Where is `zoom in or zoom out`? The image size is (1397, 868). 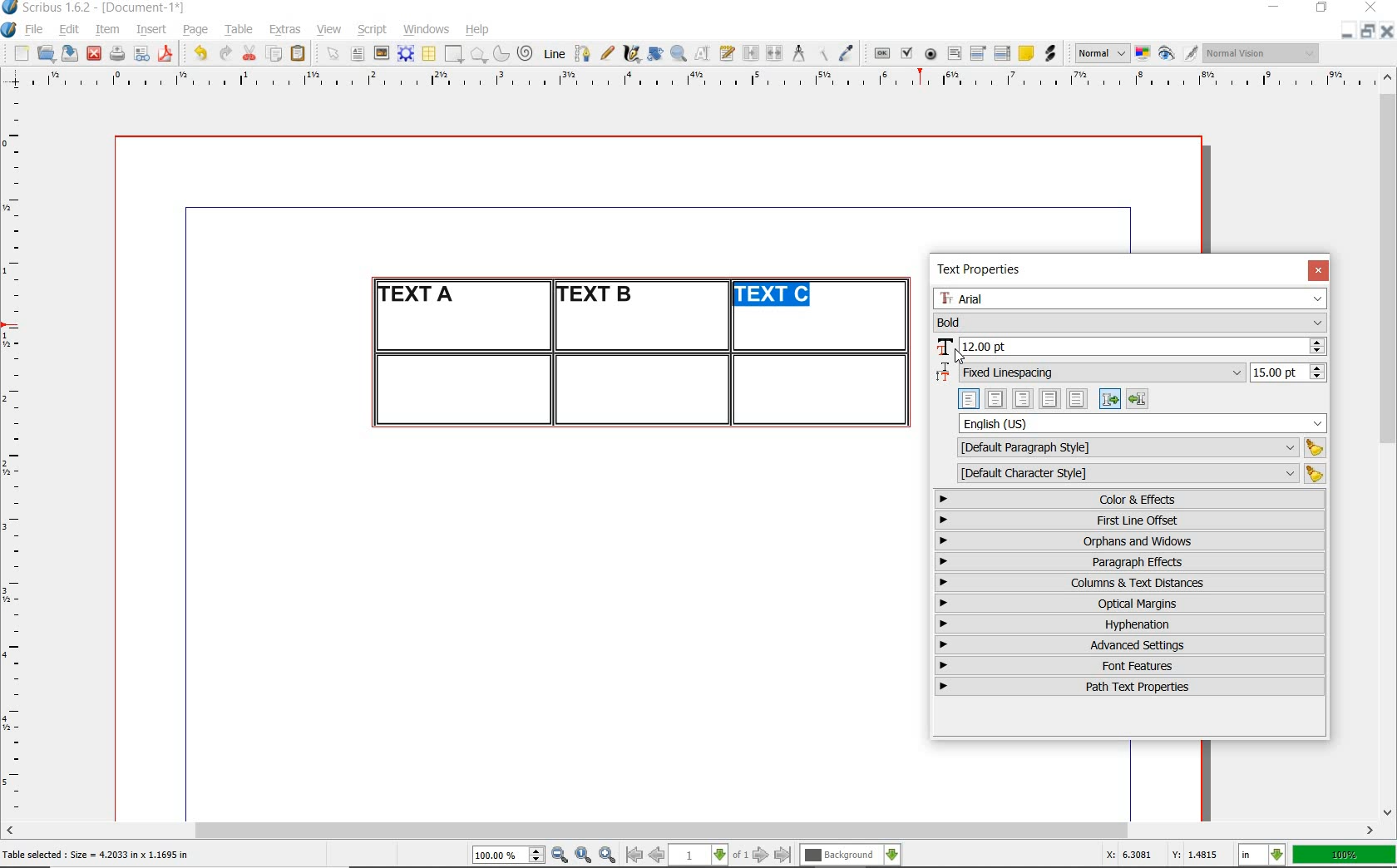 zoom in or zoom out is located at coordinates (679, 53).